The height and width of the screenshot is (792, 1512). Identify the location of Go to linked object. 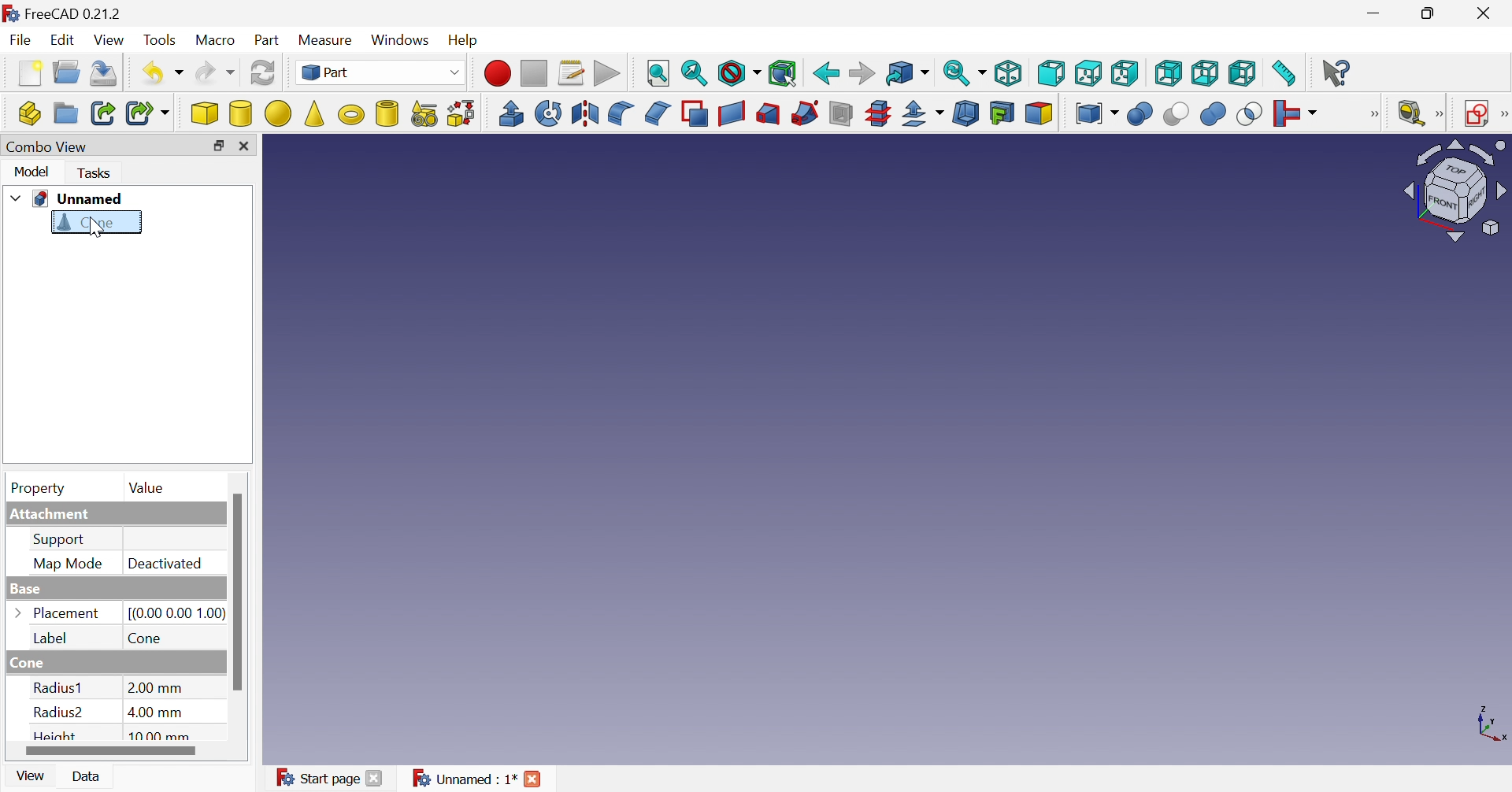
(908, 73).